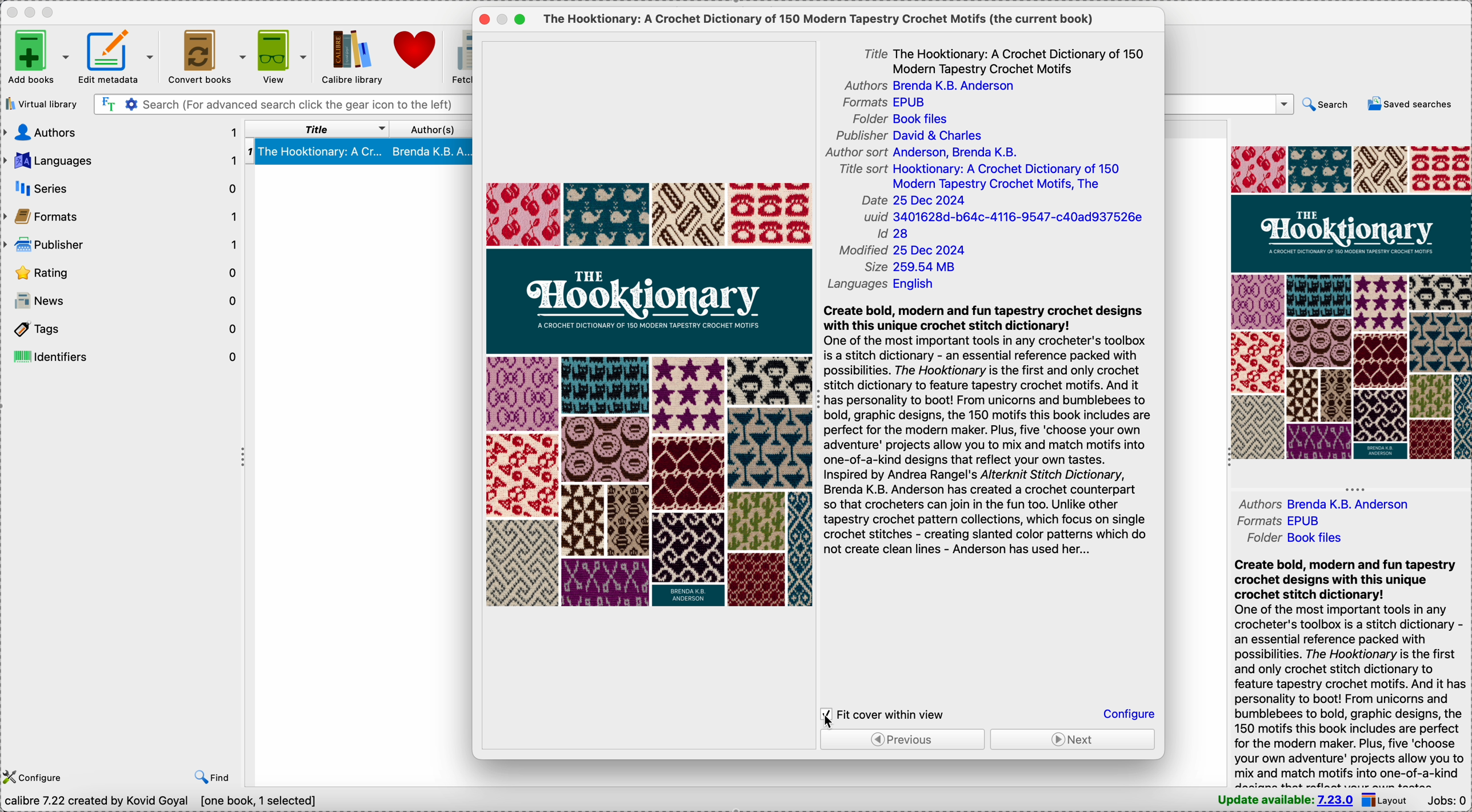 The width and height of the screenshot is (1472, 812). I want to click on view, so click(279, 55).